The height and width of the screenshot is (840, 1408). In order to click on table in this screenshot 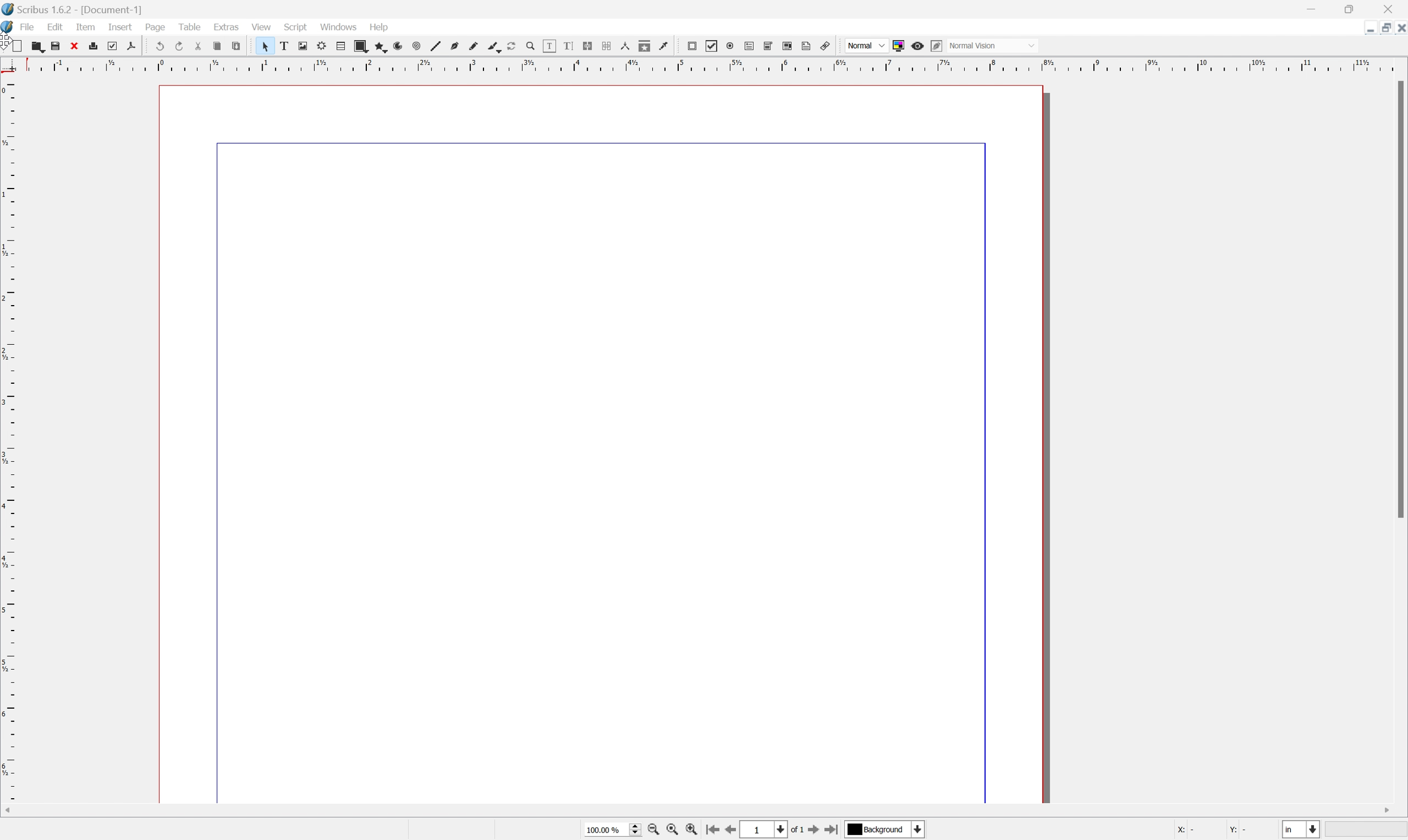, I will do `click(190, 27)`.